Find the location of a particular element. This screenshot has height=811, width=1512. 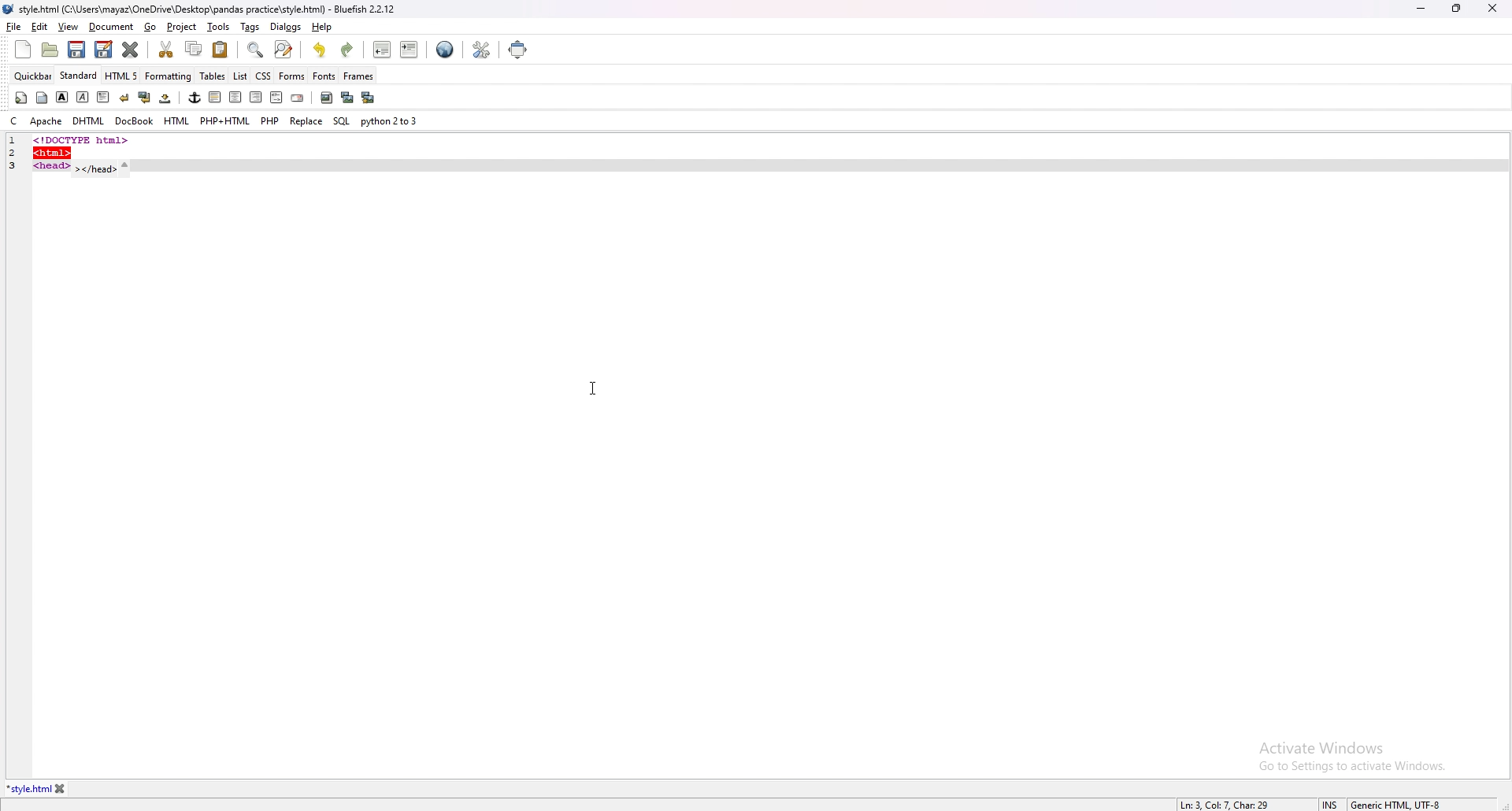

html 5 is located at coordinates (123, 76).